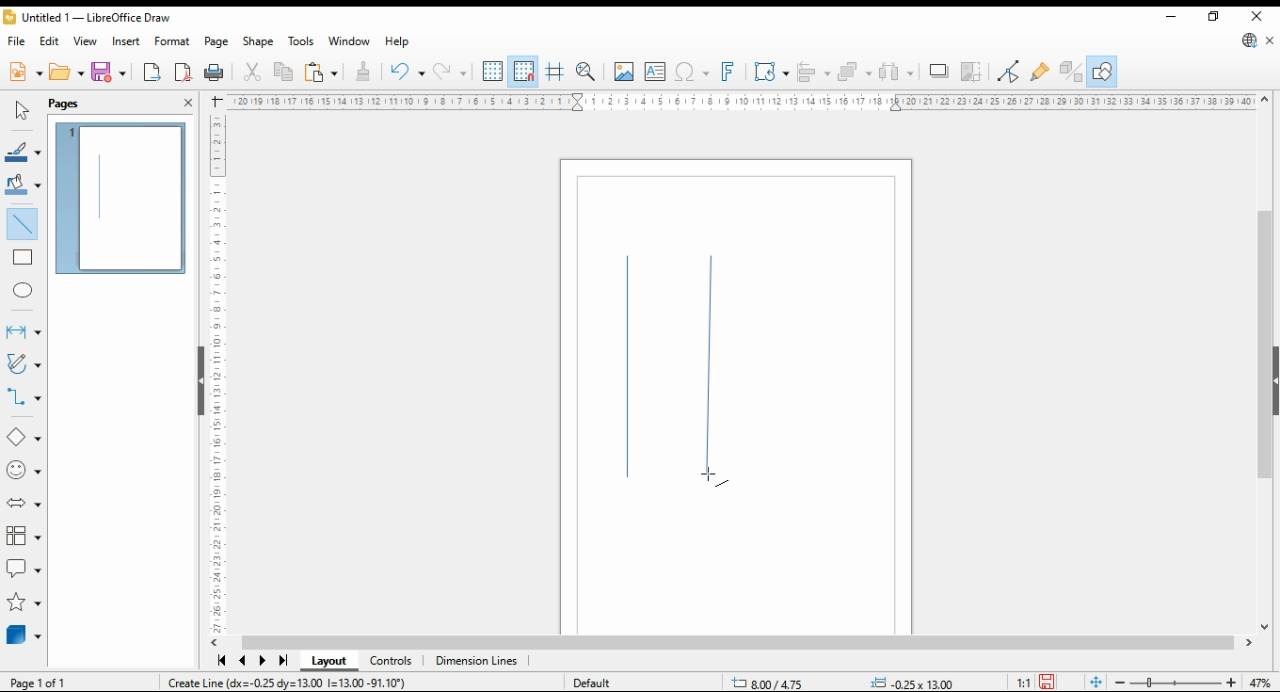  I want to click on callout shapes, so click(24, 569).